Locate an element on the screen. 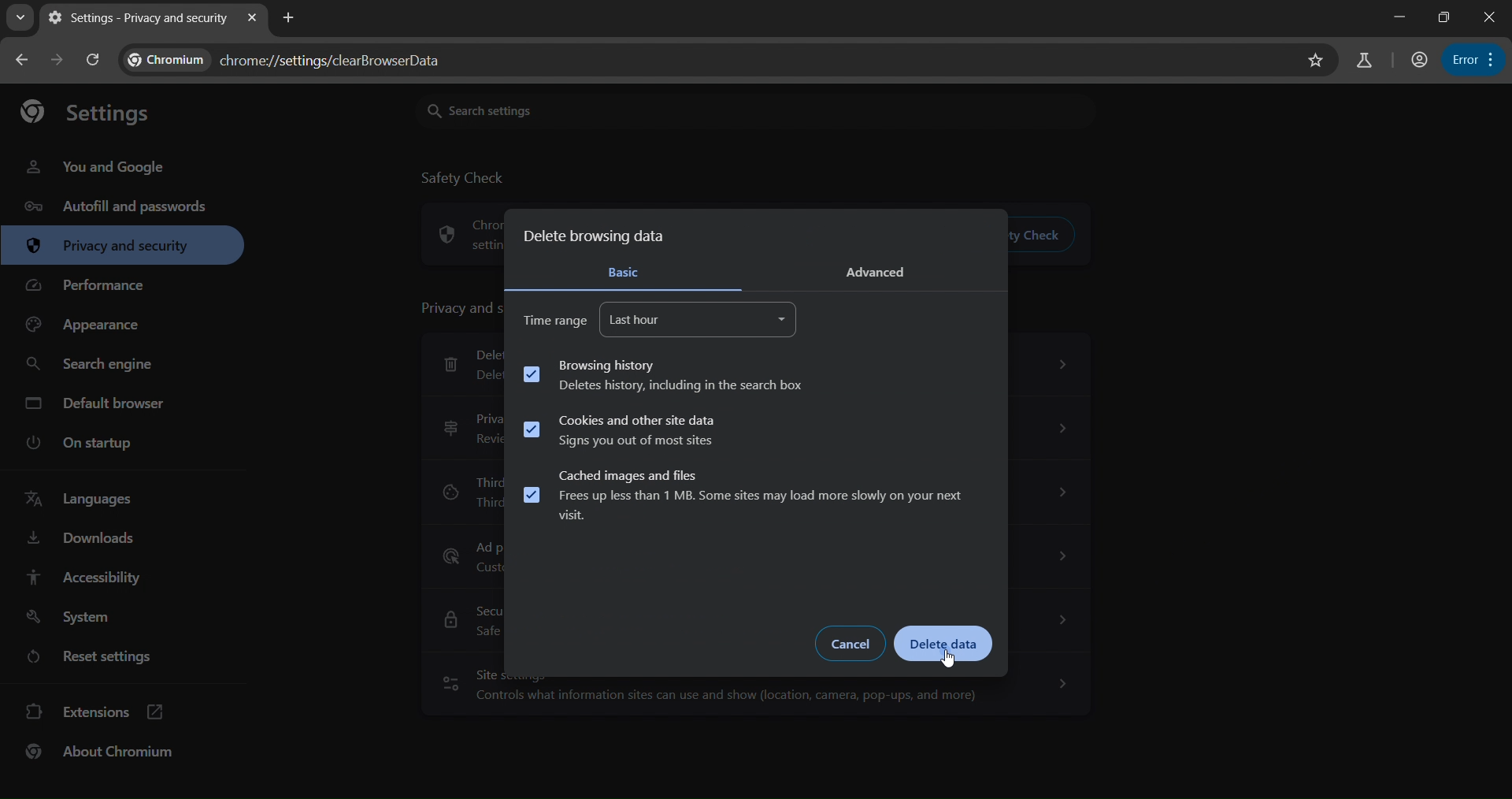 The width and height of the screenshot is (1512, 799). accounts is located at coordinates (1421, 61).